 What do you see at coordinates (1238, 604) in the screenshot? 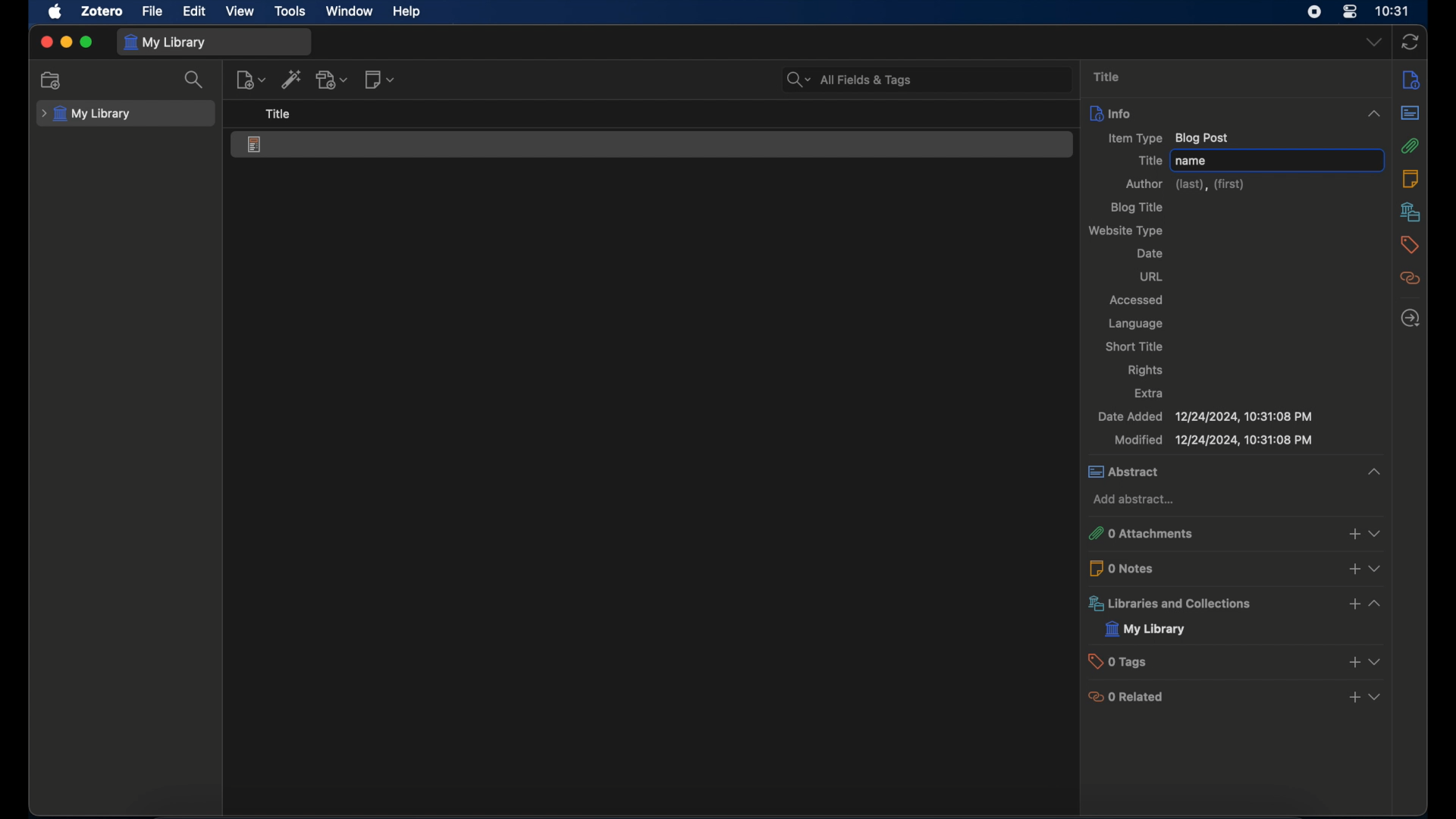
I see `libraries and collections` at bounding box center [1238, 604].